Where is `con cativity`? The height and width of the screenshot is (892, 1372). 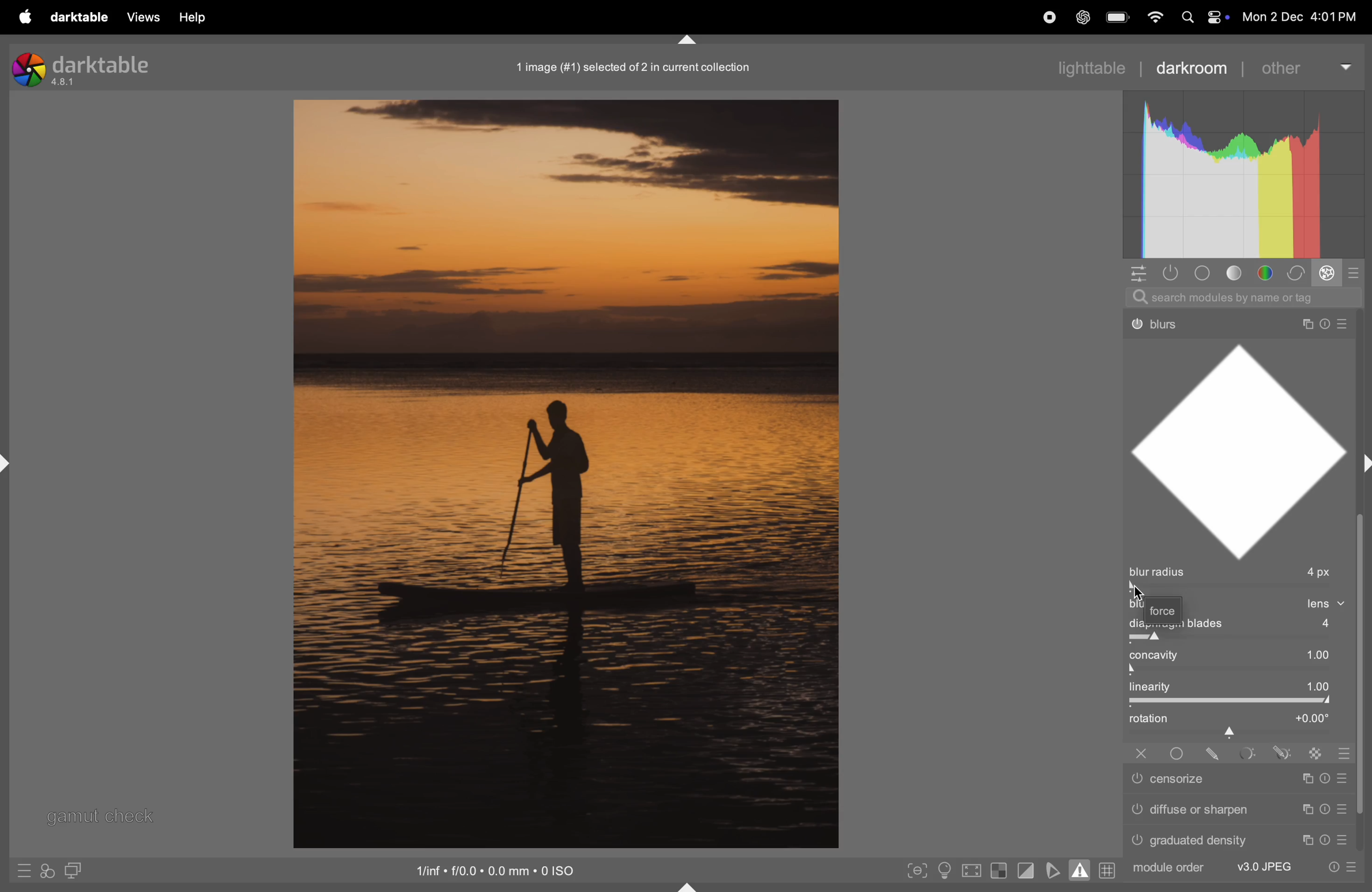 con cativity is located at coordinates (1243, 655).